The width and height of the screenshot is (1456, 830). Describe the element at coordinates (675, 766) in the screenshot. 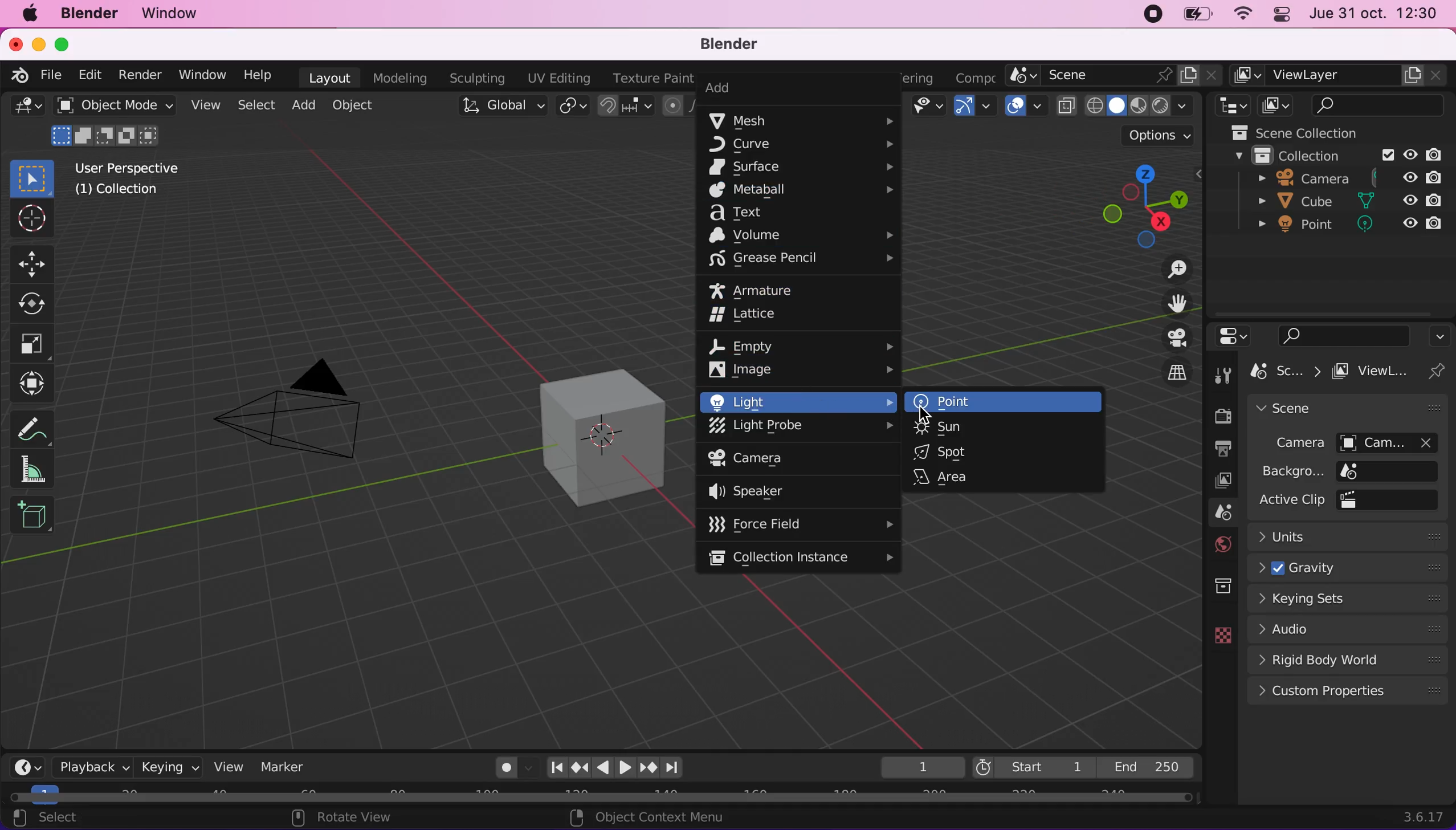

I see `Jump to endpoint` at that location.